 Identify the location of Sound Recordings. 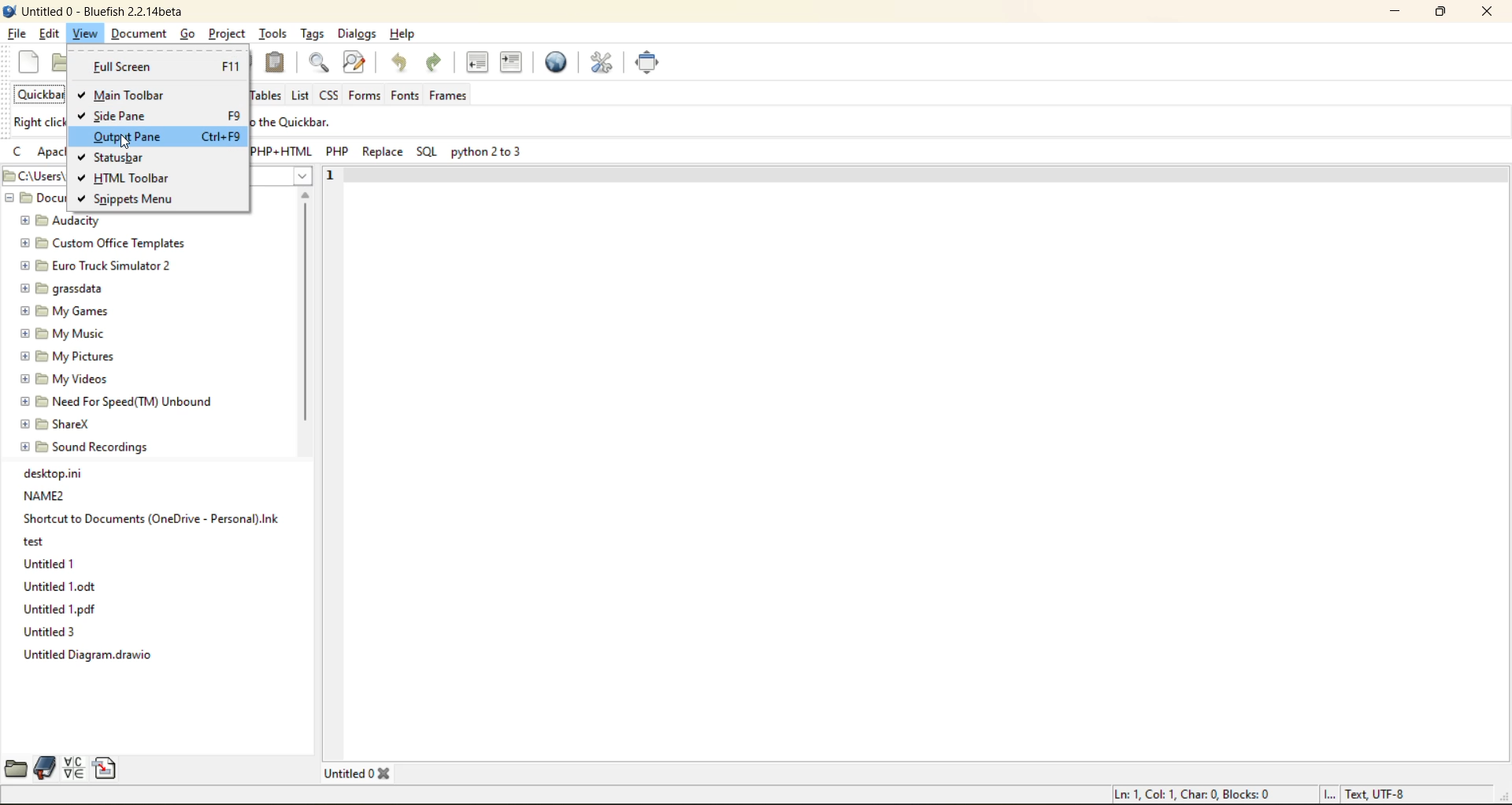
(91, 447).